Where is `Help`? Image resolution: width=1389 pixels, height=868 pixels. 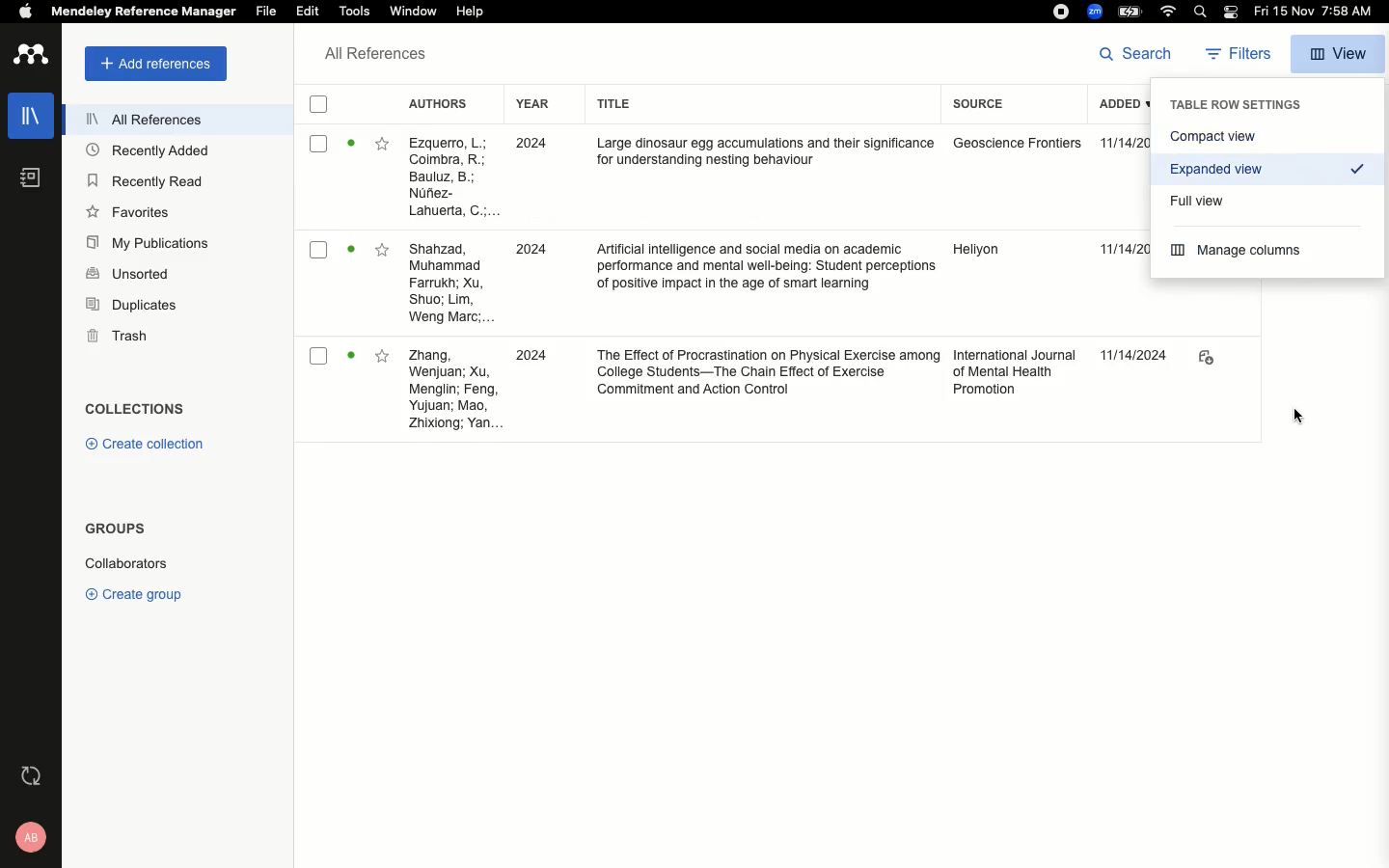
Help is located at coordinates (471, 10).